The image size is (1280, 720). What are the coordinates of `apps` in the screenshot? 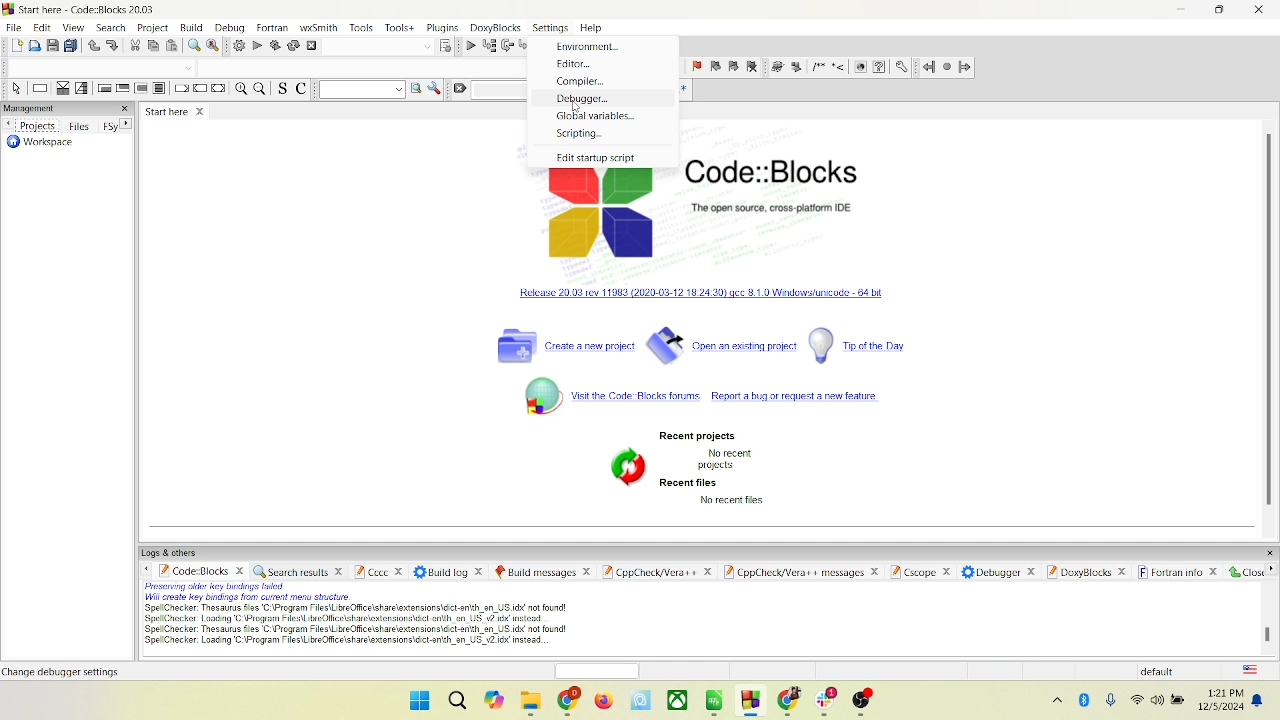 It's located at (689, 698).